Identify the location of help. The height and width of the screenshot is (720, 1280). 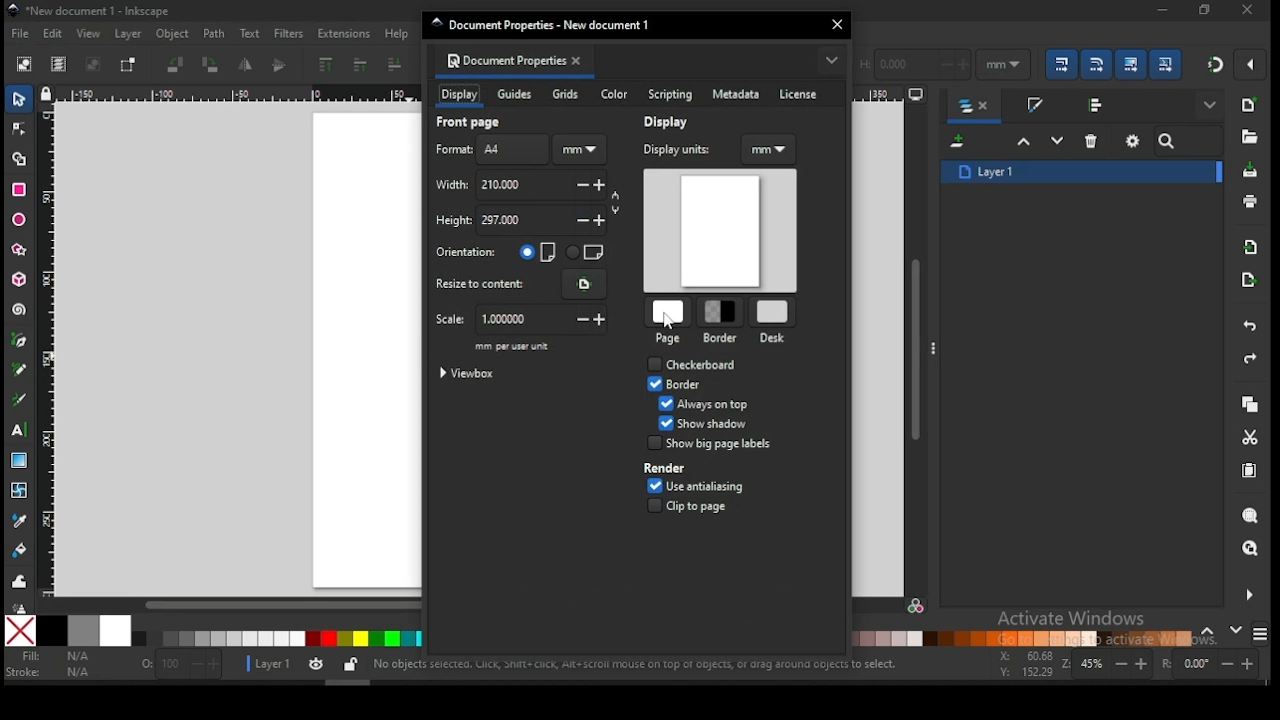
(400, 33).